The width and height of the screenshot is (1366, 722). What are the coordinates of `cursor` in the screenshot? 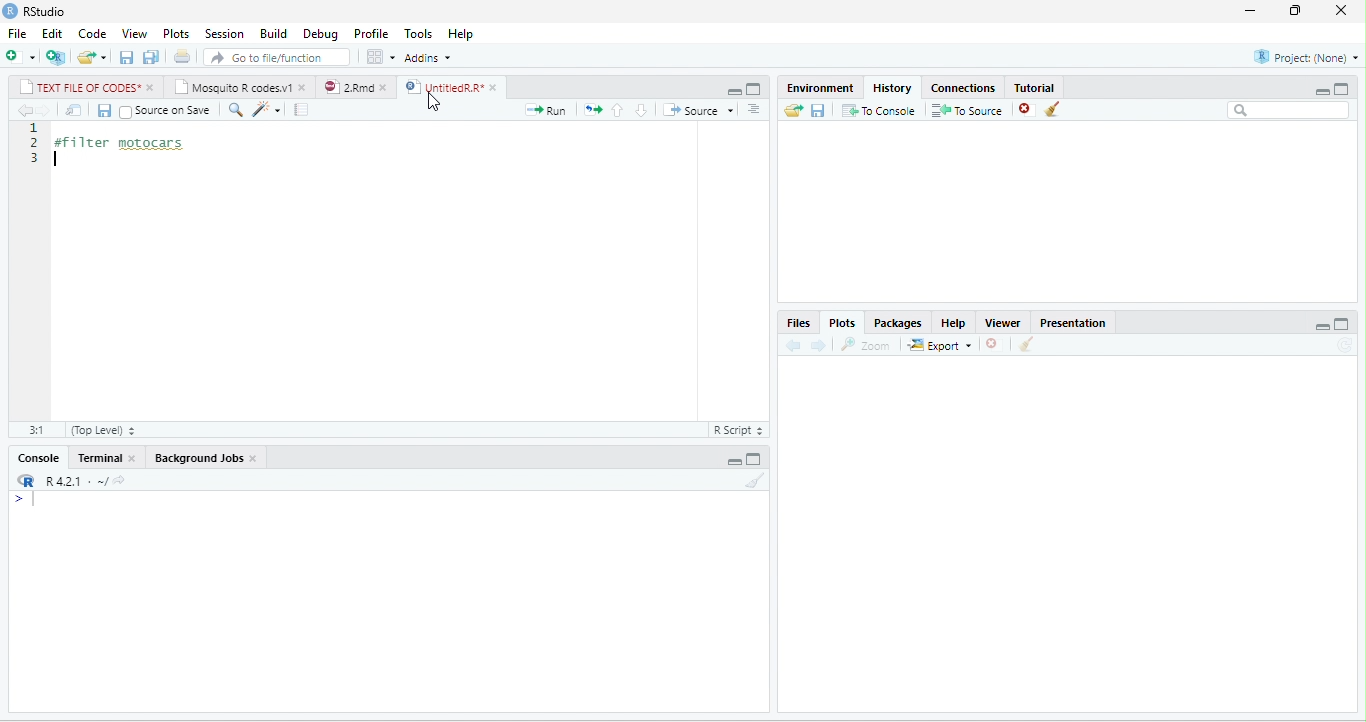 It's located at (434, 104).